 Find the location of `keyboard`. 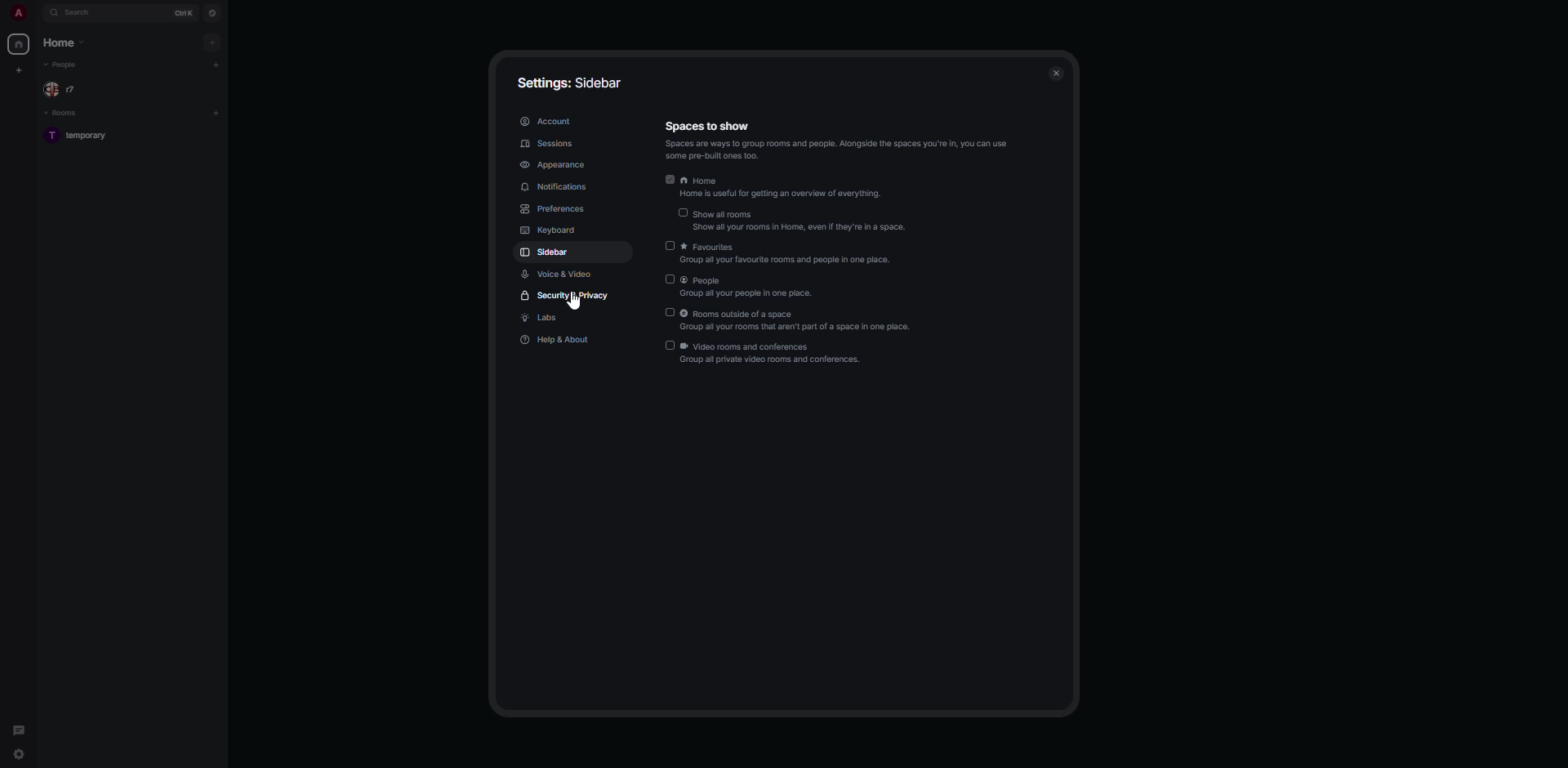

keyboard is located at coordinates (555, 231).